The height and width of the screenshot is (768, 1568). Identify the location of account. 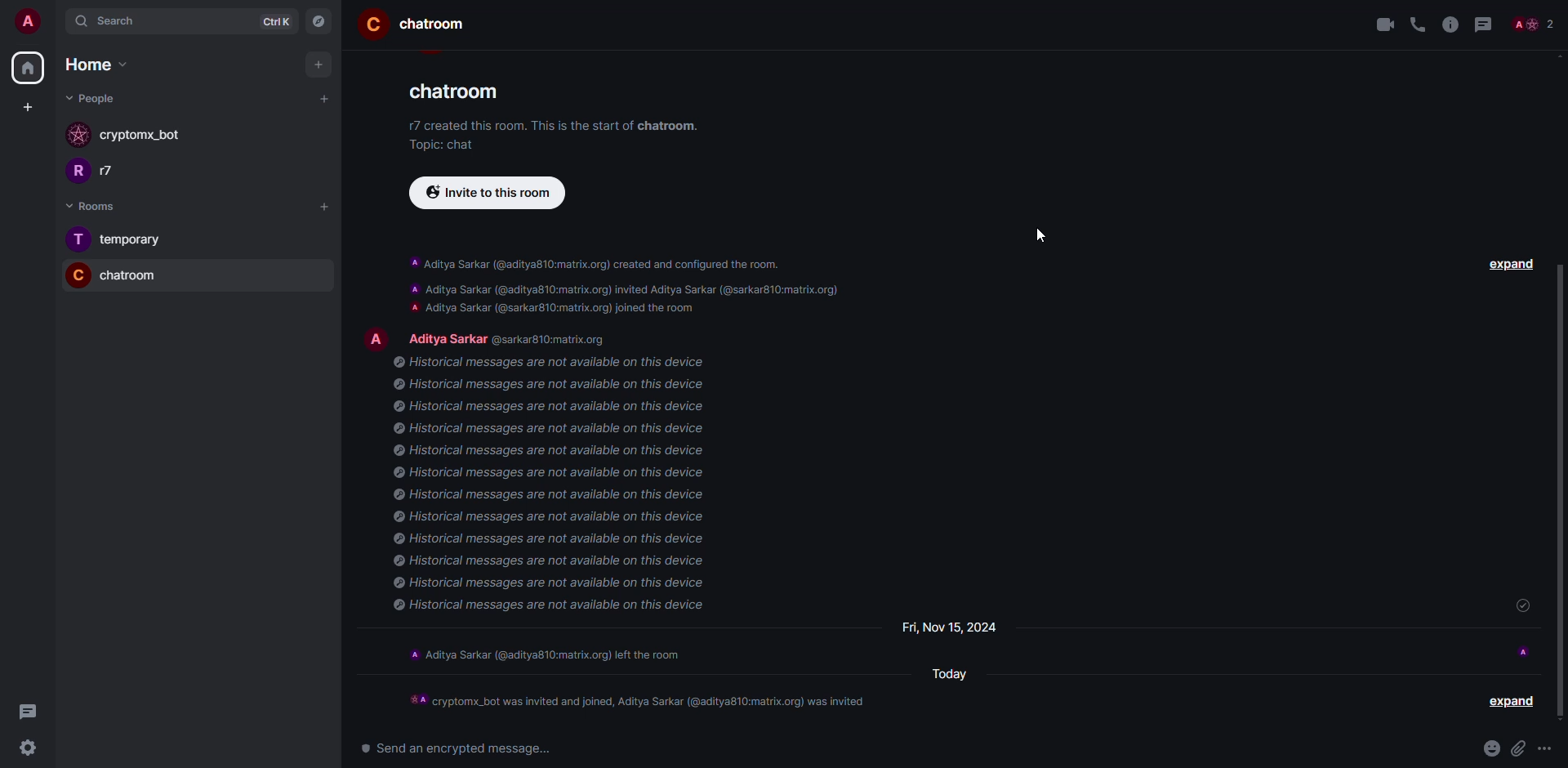
(34, 23).